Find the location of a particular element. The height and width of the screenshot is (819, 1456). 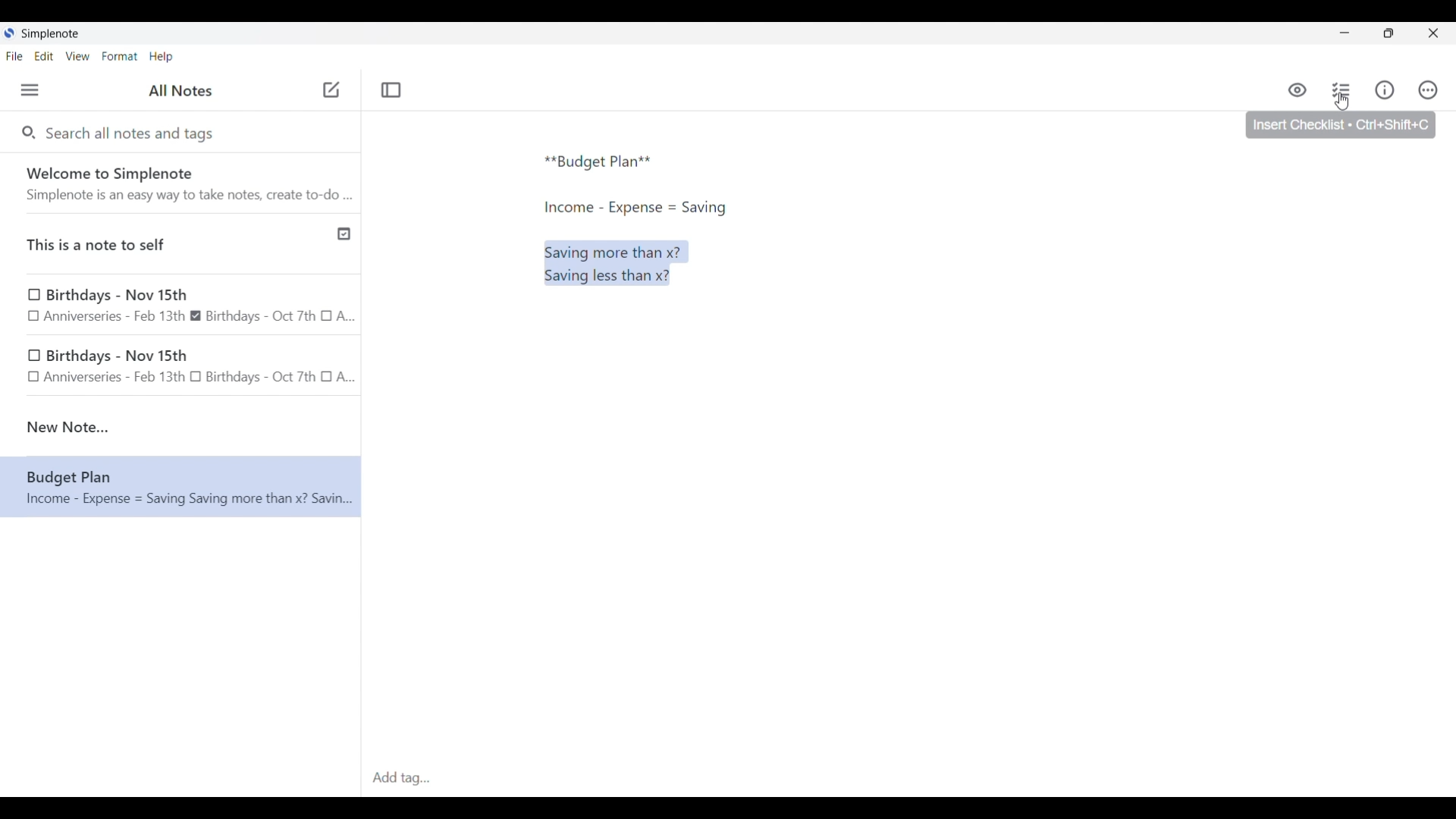

More text typed in is located at coordinates (634, 208).